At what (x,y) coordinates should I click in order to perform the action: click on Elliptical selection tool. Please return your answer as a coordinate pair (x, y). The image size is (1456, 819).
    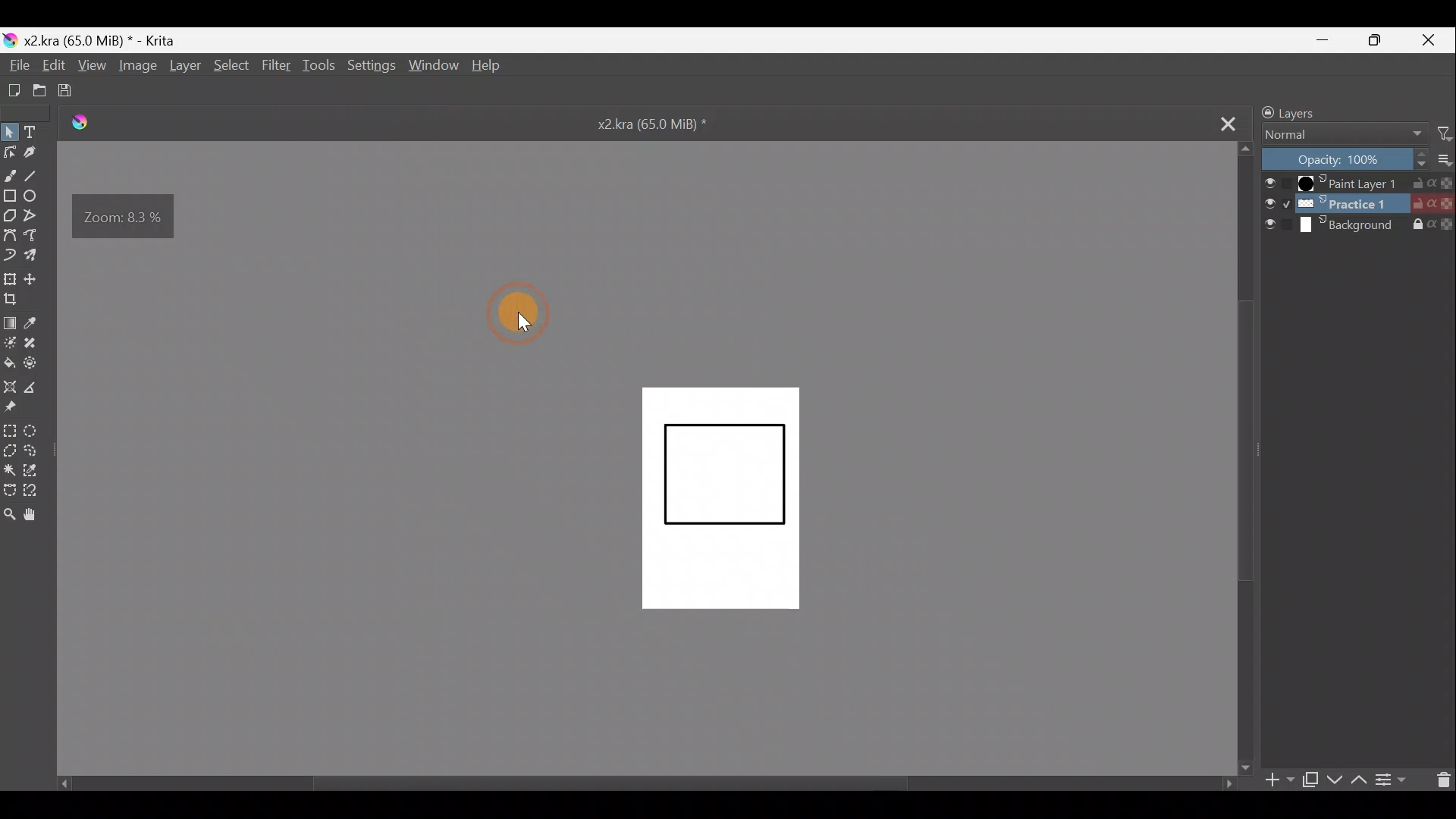
    Looking at the image, I should click on (38, 431).